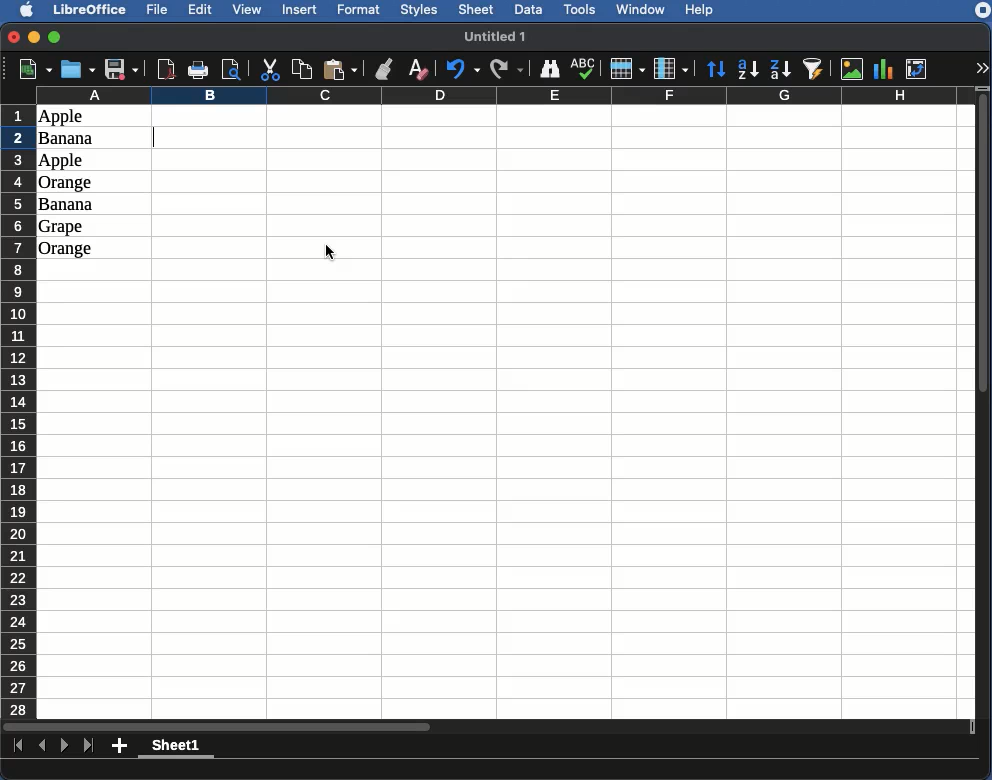 The height and width of the screenshot is (780, 992). Describe the element at coordinates (270, 69) in the screenshot. I see `Cut` at that location.